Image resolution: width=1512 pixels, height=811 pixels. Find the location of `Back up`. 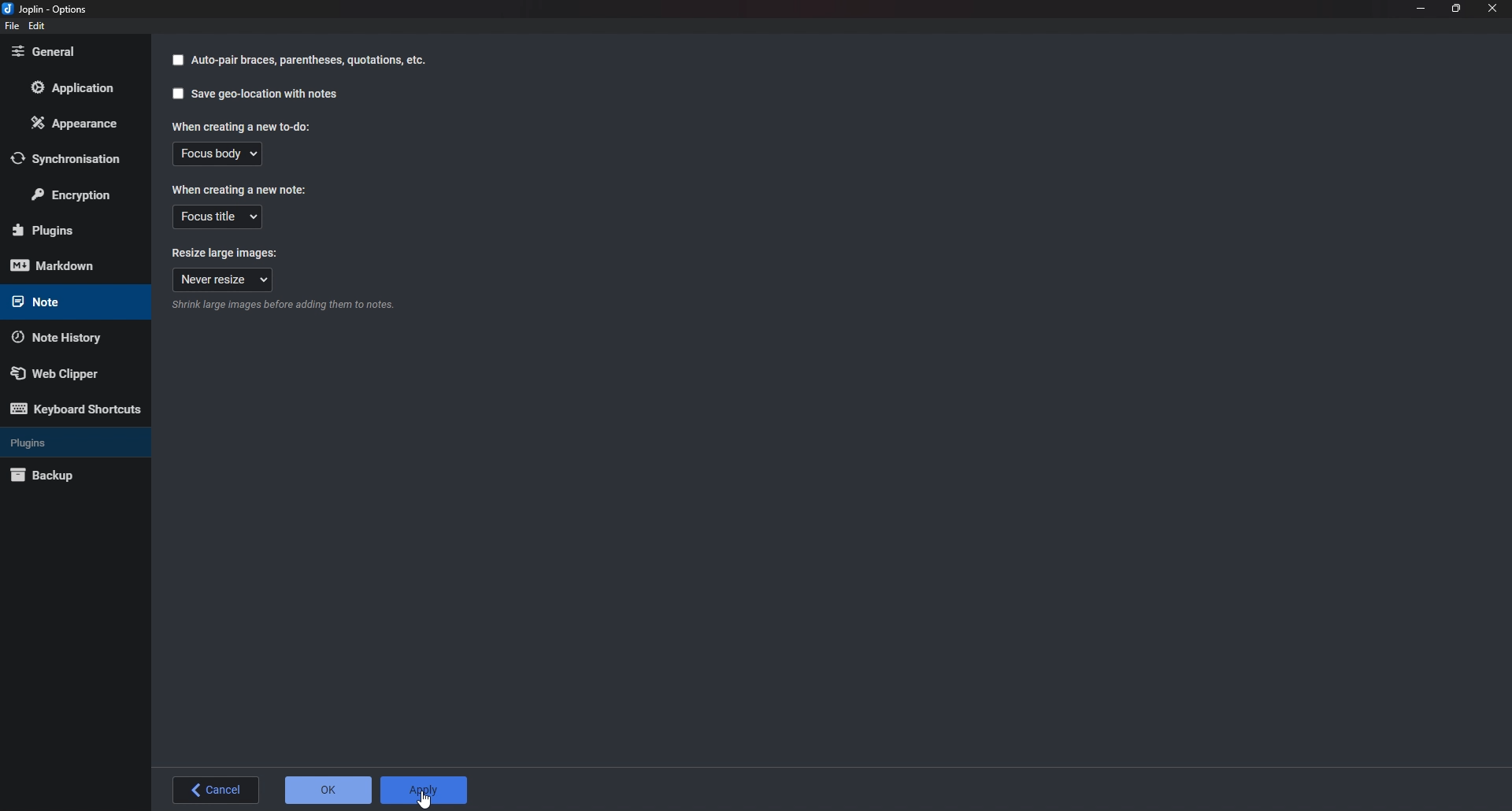

Back up is located at coordinates (71, 475).